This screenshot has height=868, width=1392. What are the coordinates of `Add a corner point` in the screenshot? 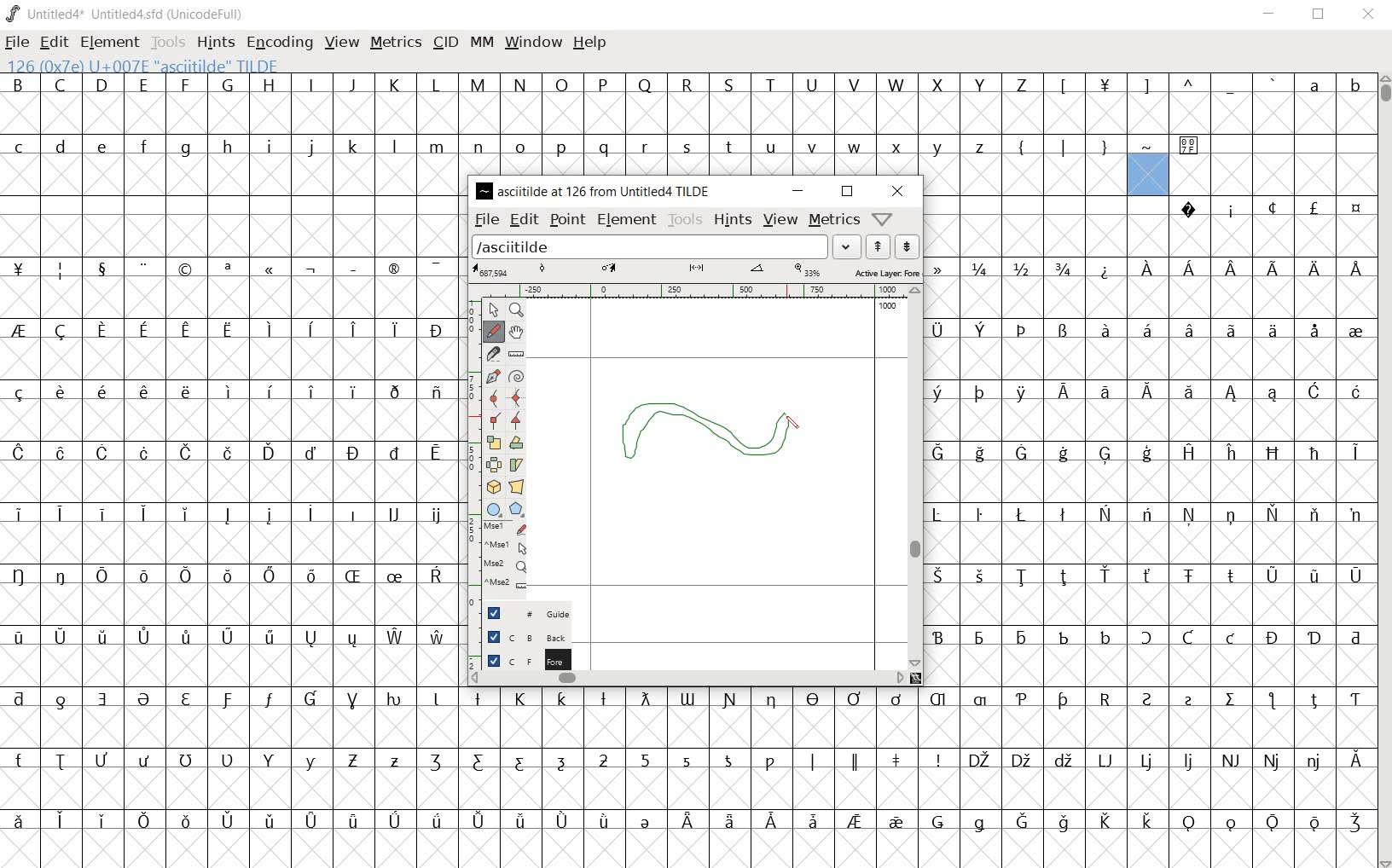 It's located at (515, 421).